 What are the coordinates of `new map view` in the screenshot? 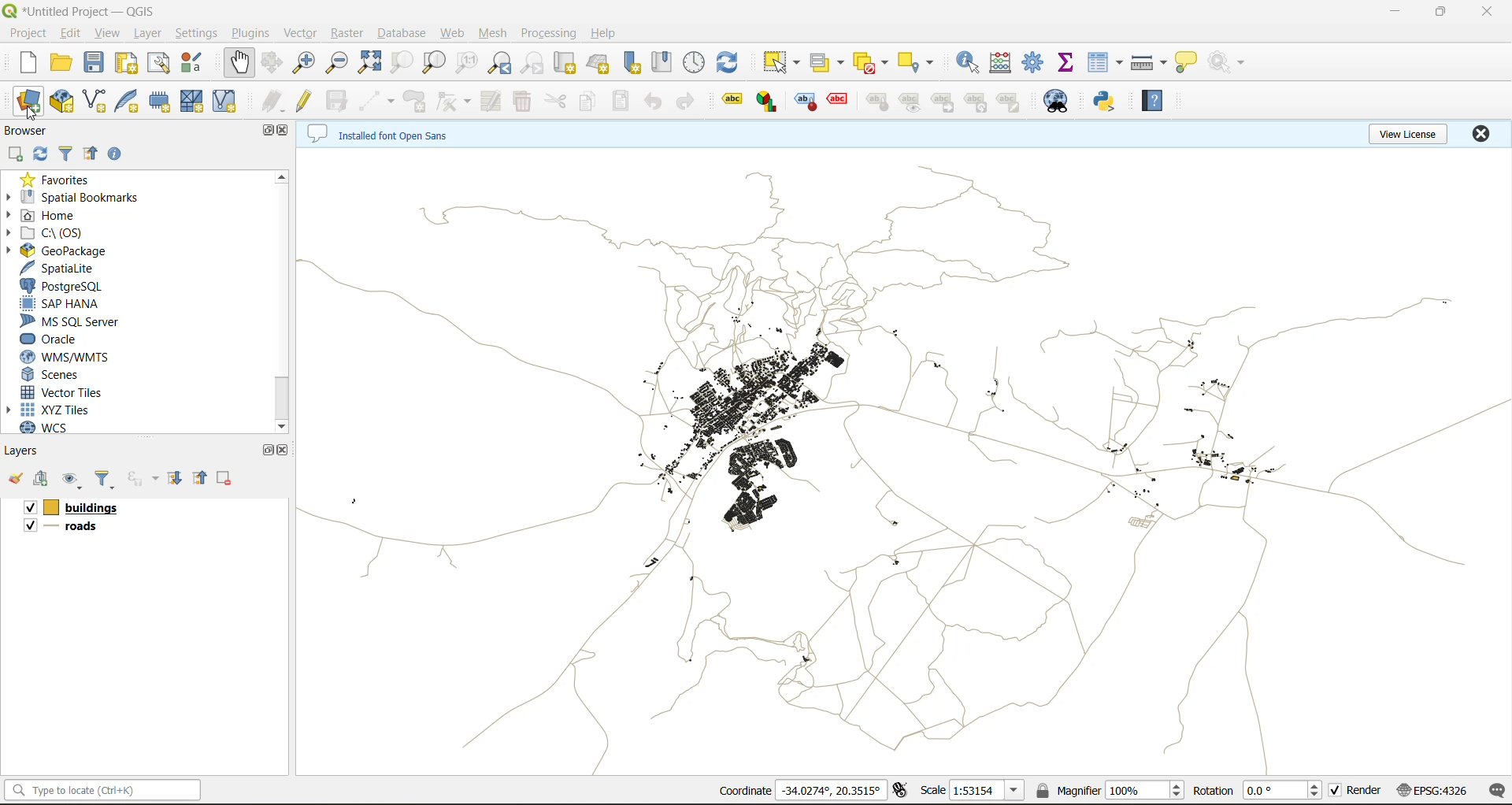 It's located at (567, 65).